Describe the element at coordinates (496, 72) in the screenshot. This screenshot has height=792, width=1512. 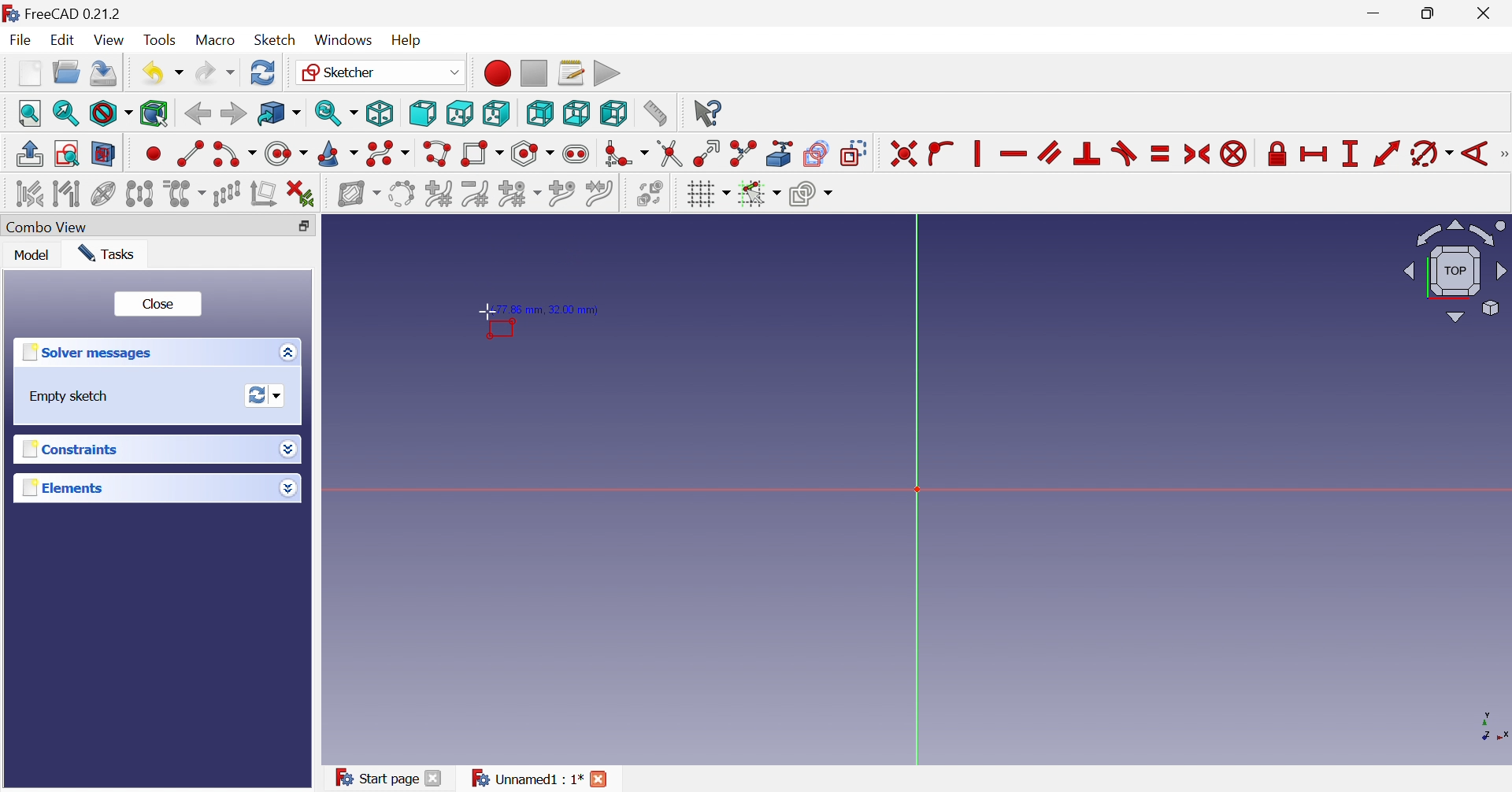
I see `Macro recording...` at that location.